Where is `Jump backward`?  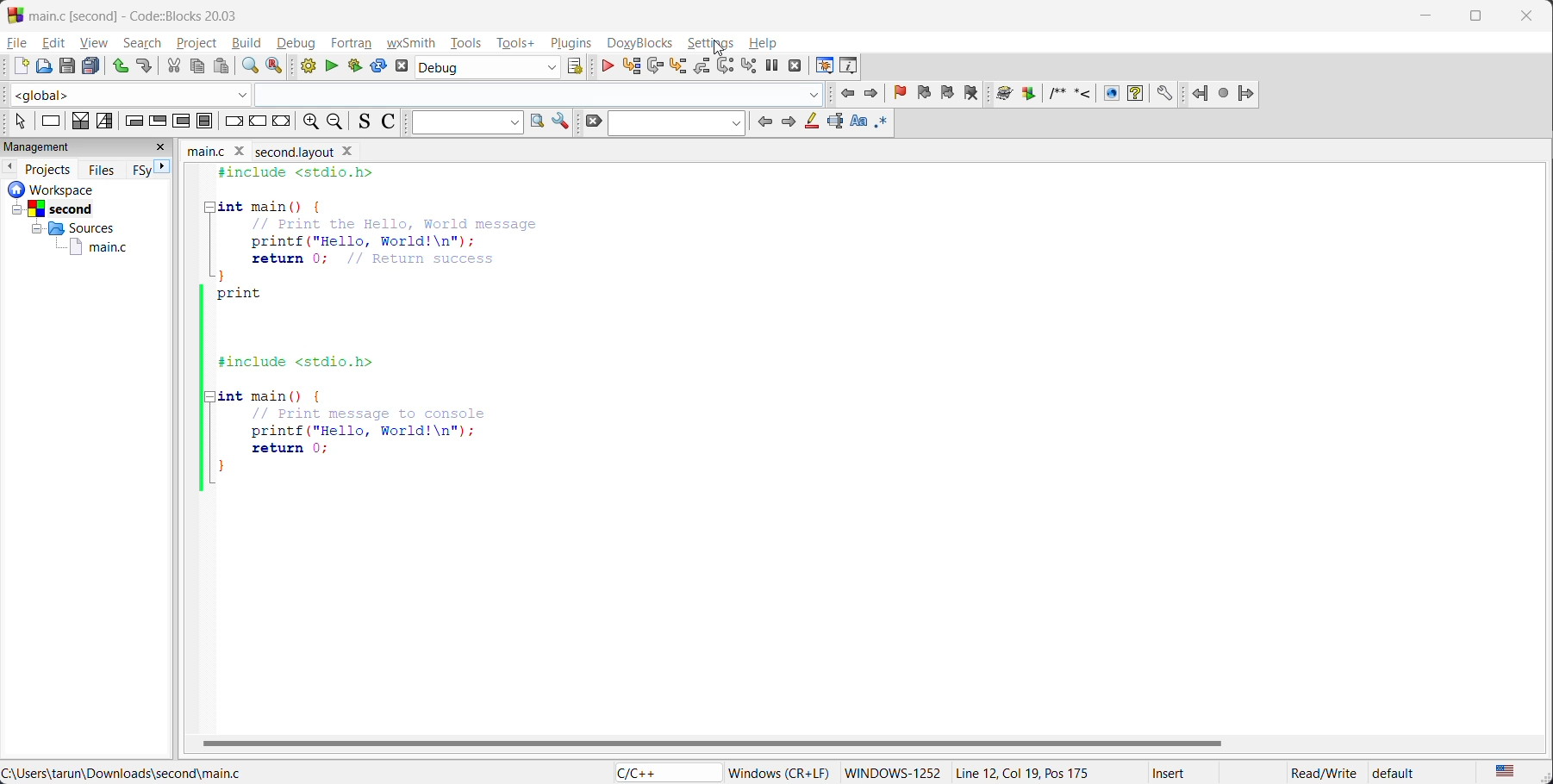 Jump backward is located at coordinates (1201, 91).